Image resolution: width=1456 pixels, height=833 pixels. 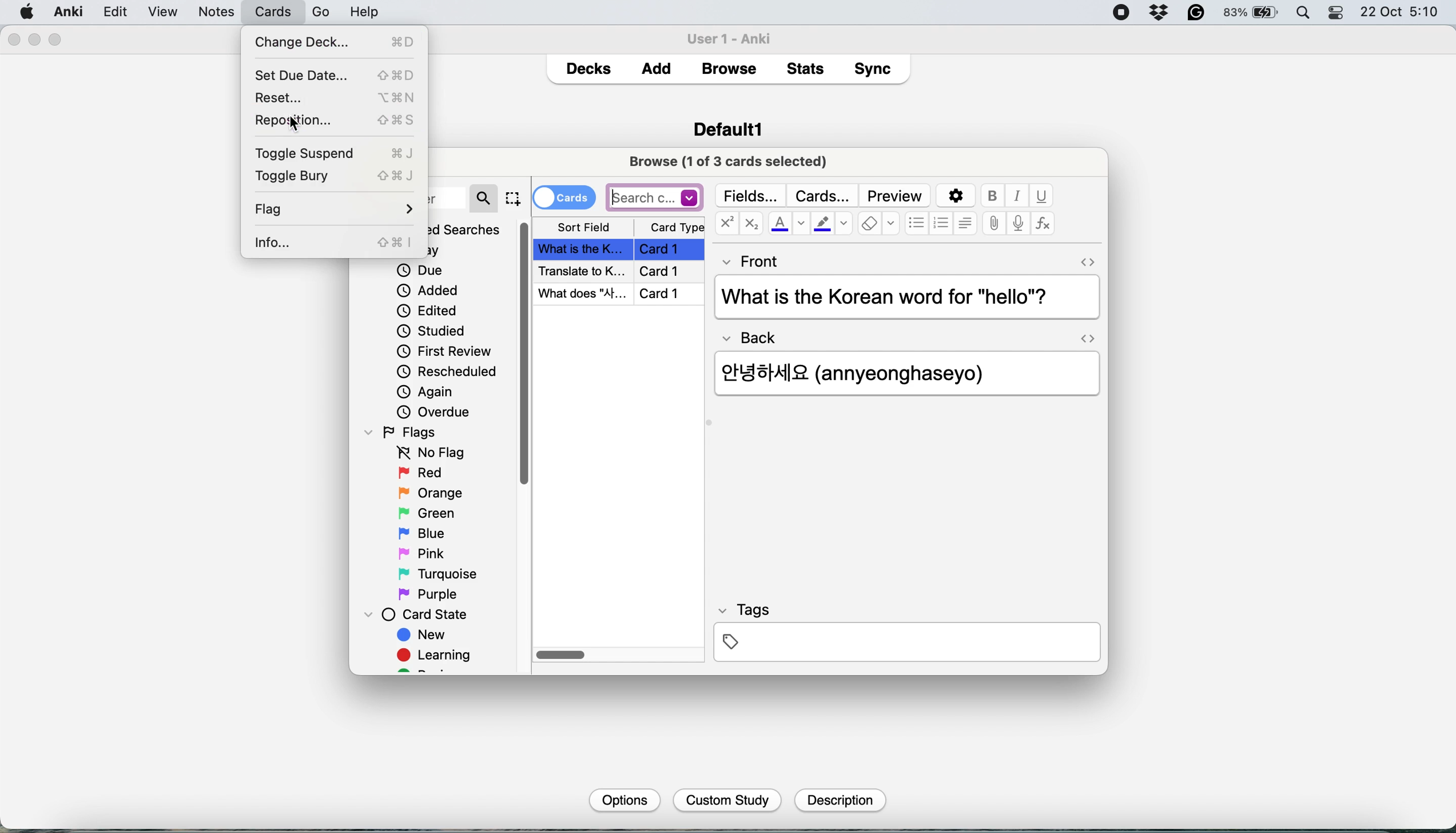 I want to click on overdue, so click(x=432, y=412).